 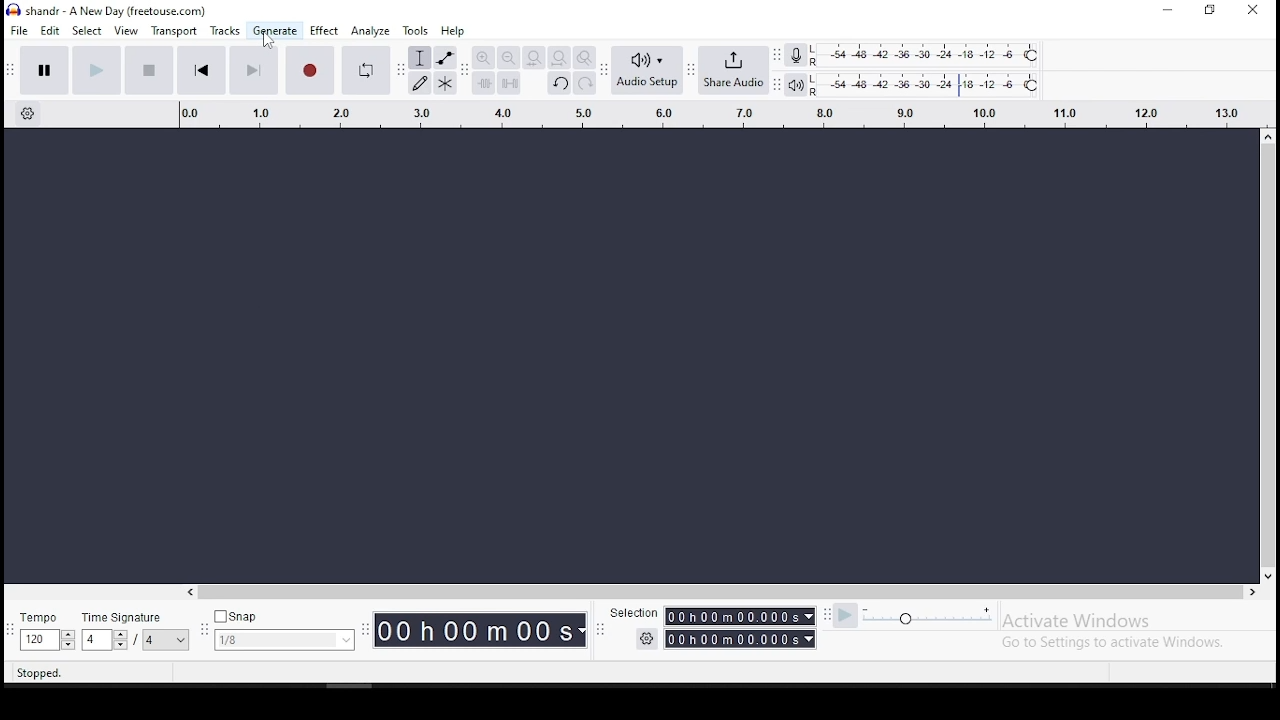 I want to click on play, so click(x=96, y=69).